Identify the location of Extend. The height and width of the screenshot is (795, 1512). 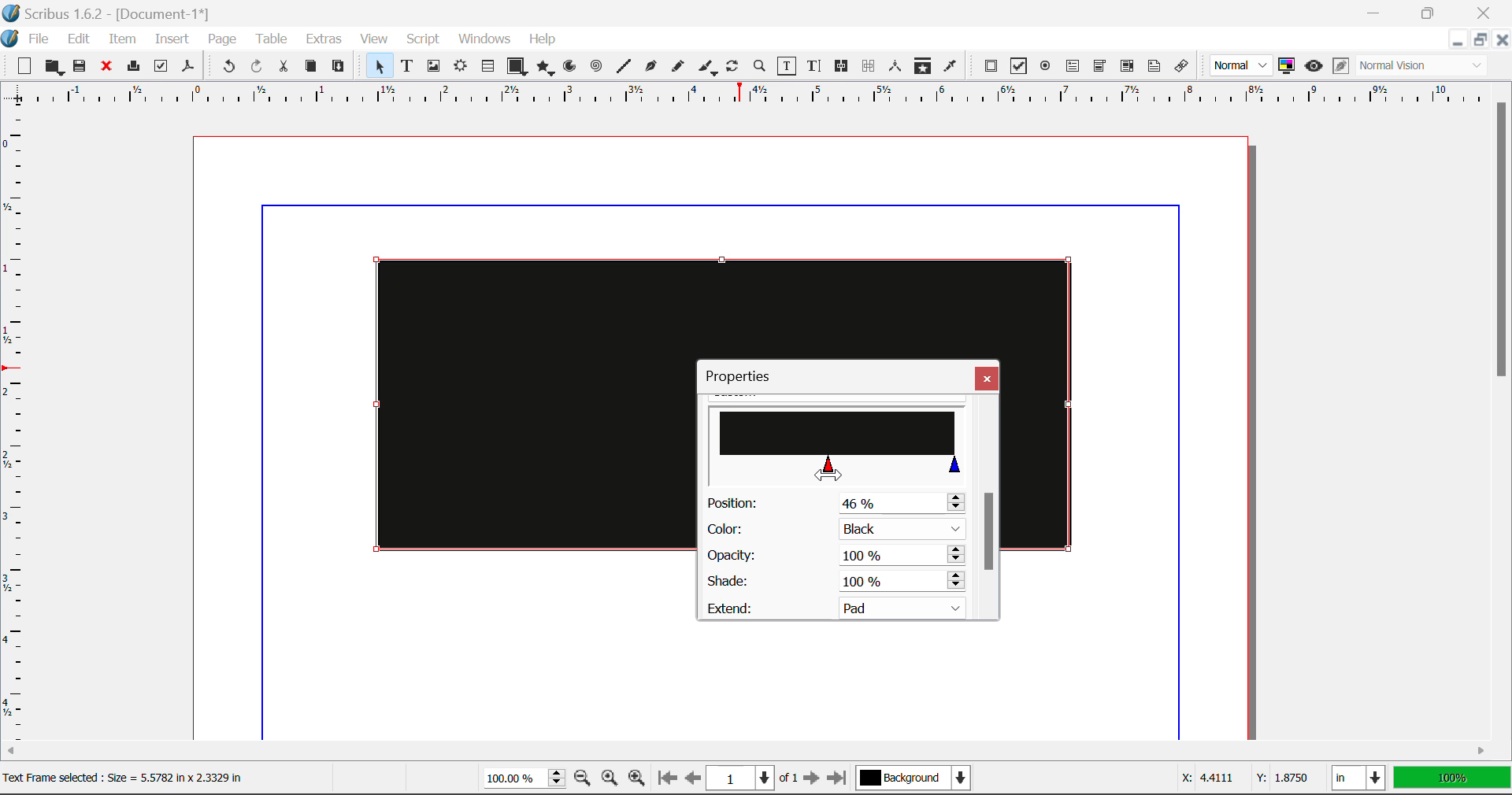
(841, 606).